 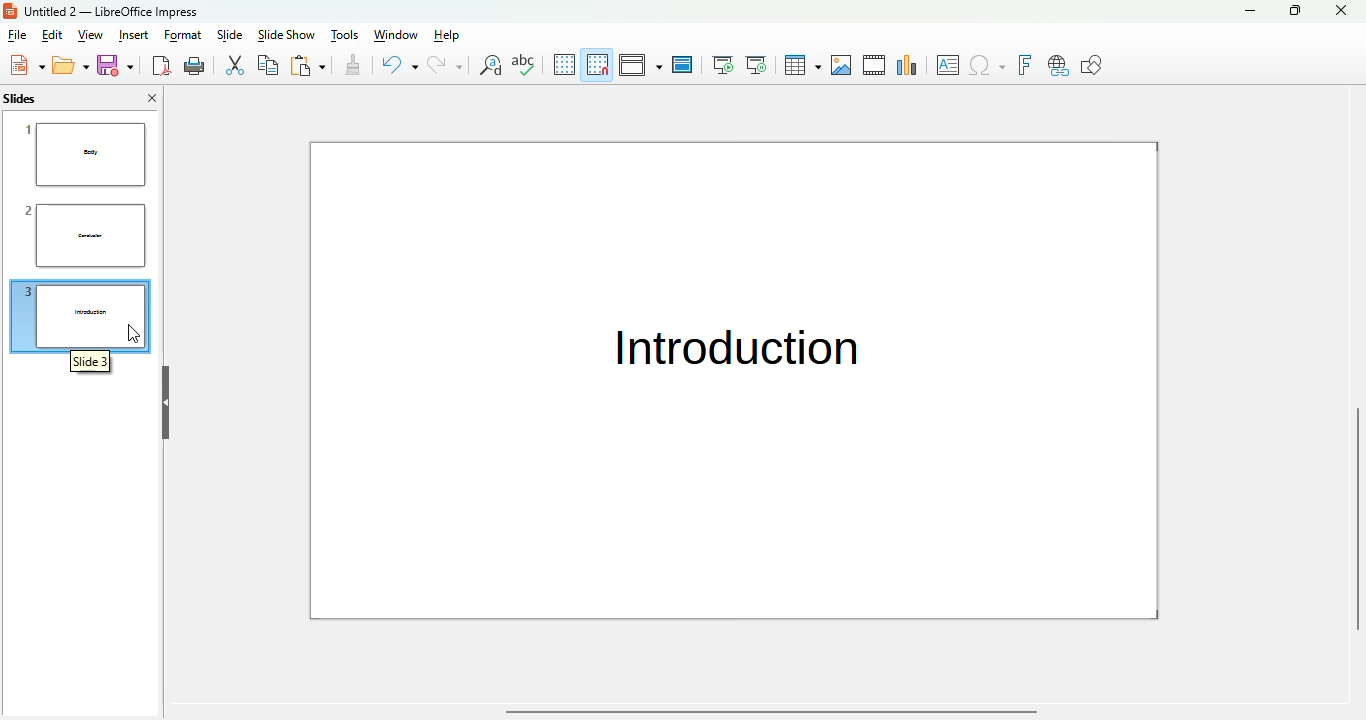 What do you see at coordinates (286, 35) in the screenshot?
I see `slide show` at bounding box center [286, 35].